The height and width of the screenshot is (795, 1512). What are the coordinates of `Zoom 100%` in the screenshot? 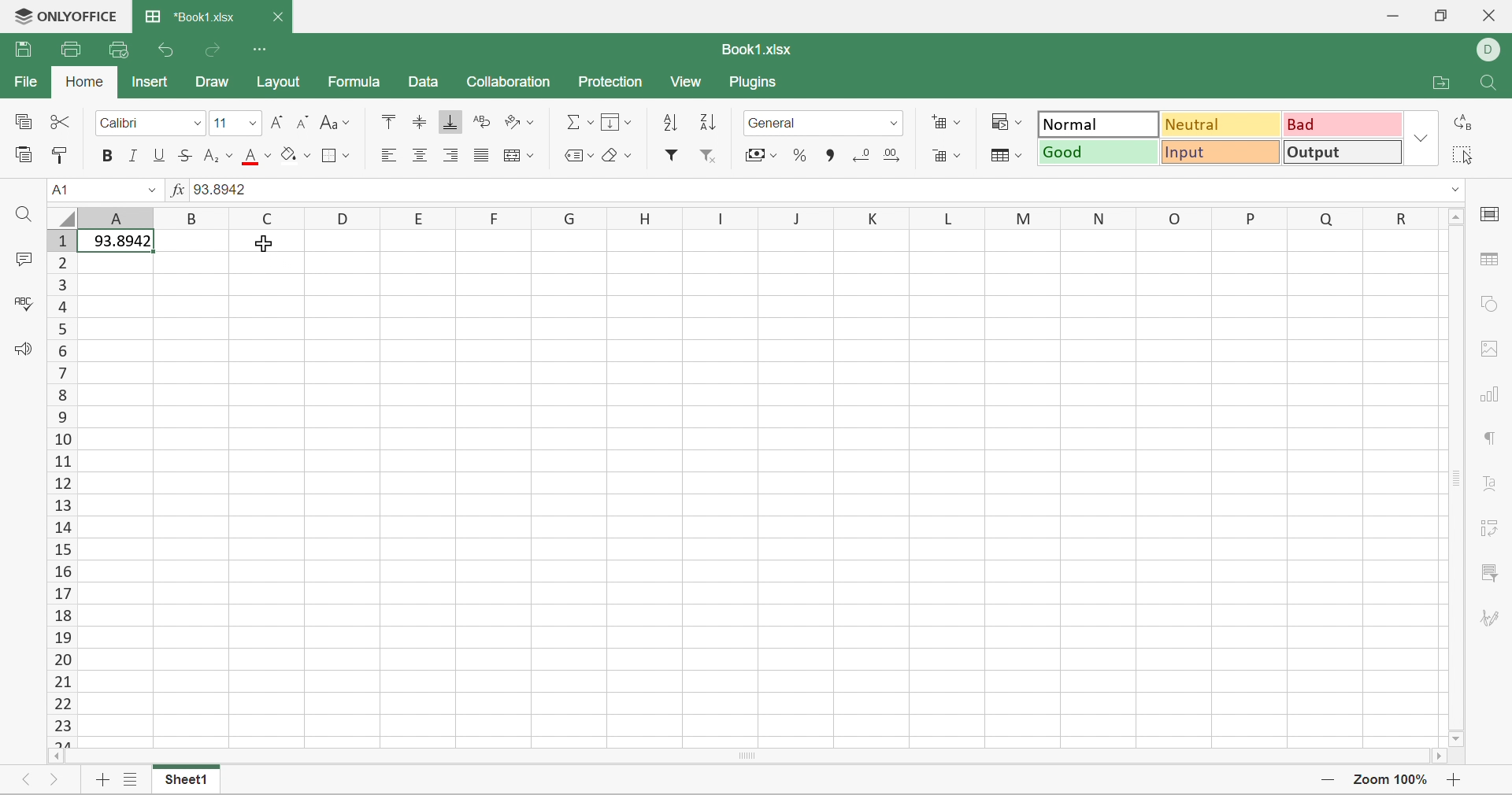 It's located at (1388, 782).